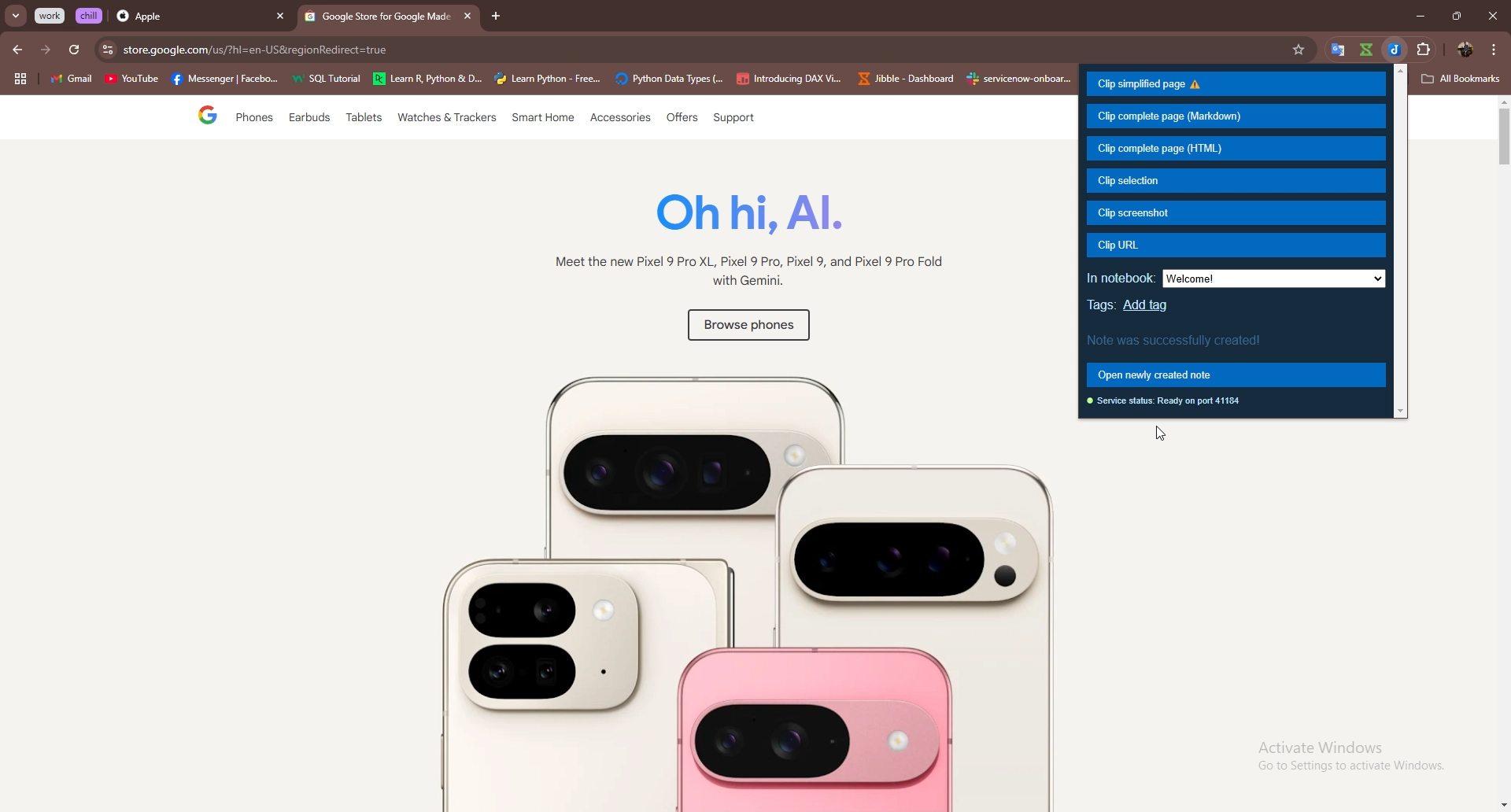  Describe the element at coordinates (250, 119) in the screenshot. I see `Phones` at that location.